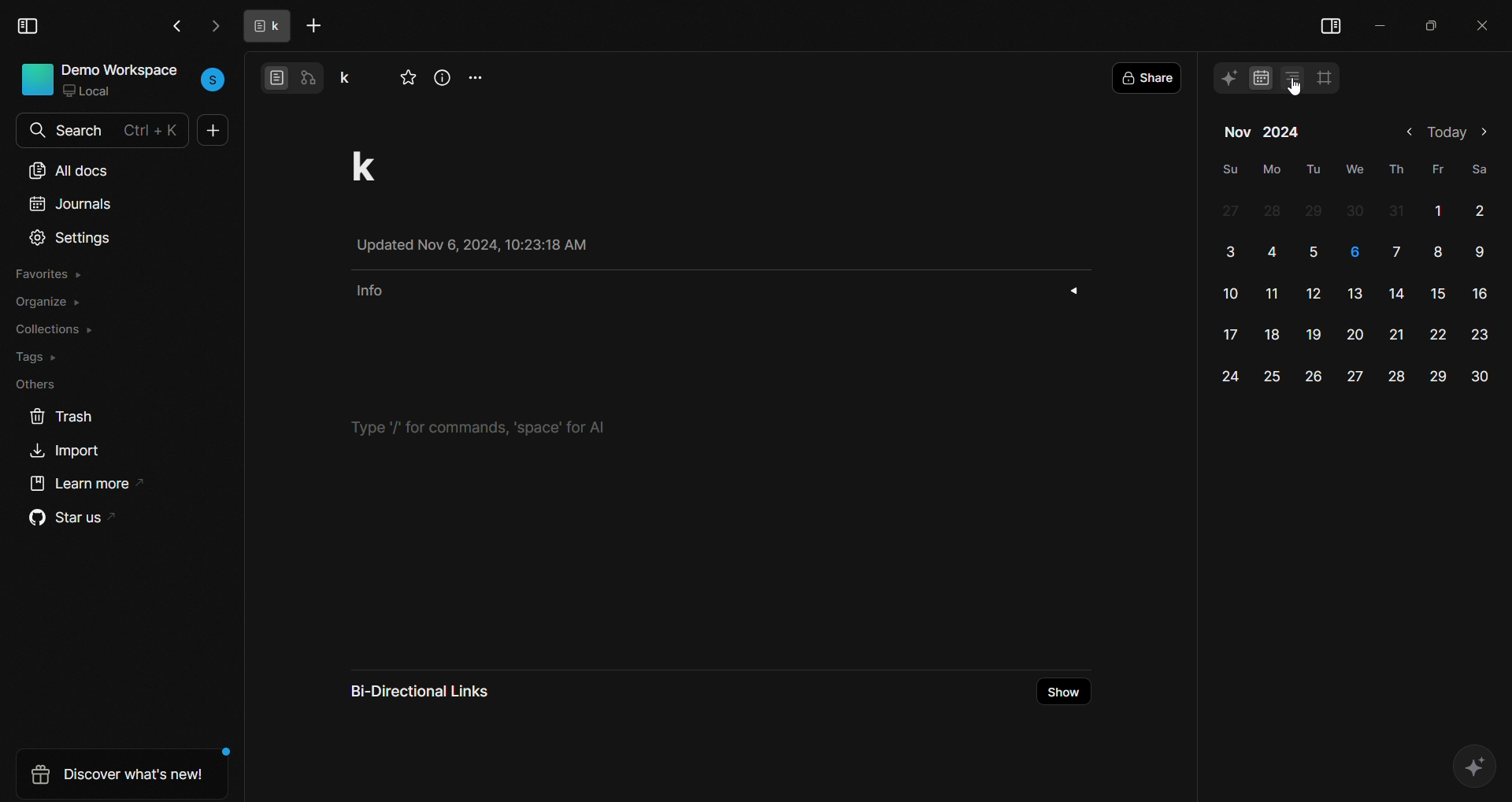 The height and width of the screenshot is (802, 1512). I want to click on more, so click(479, 75).